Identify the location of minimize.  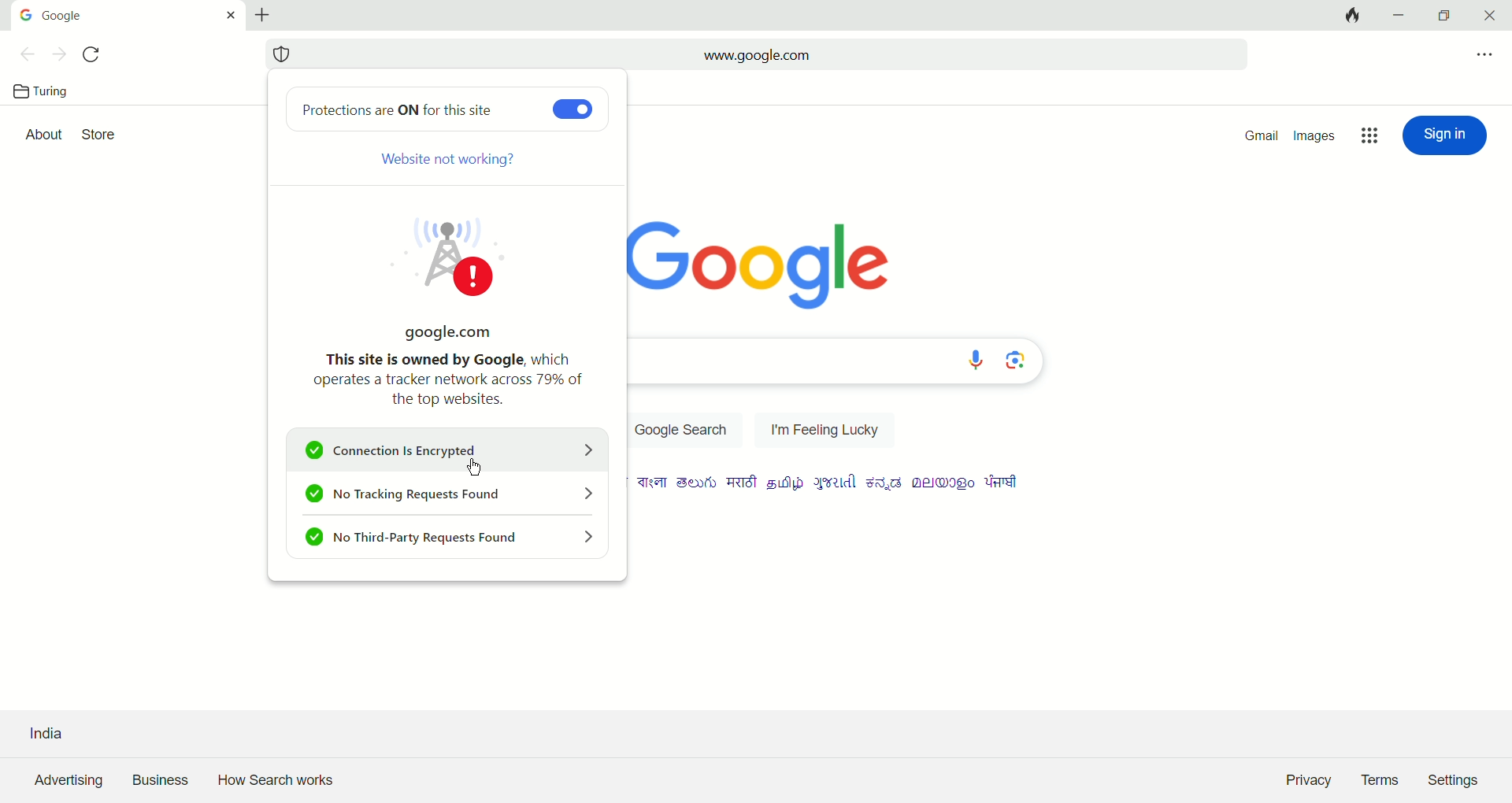
(1398, 17).